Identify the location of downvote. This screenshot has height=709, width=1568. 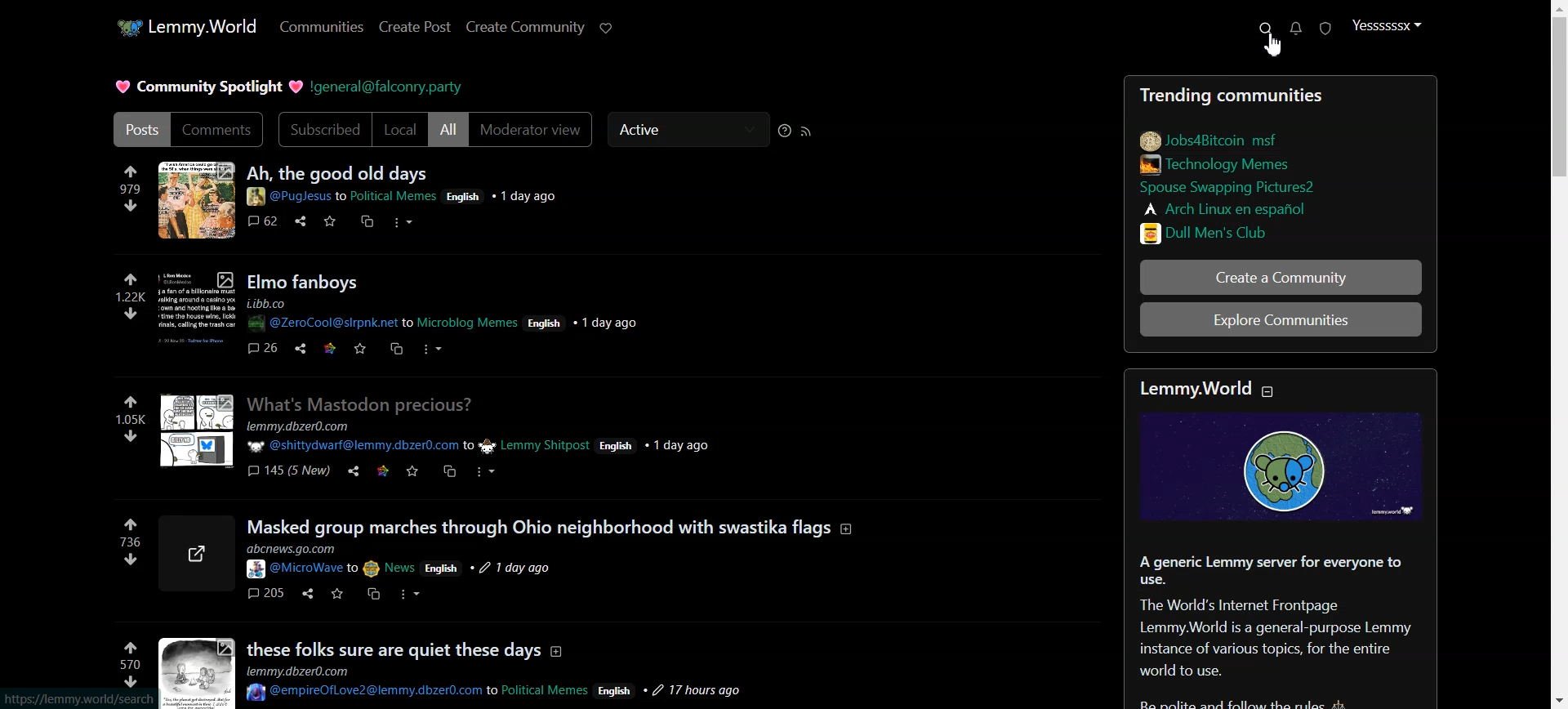
(130, 558).